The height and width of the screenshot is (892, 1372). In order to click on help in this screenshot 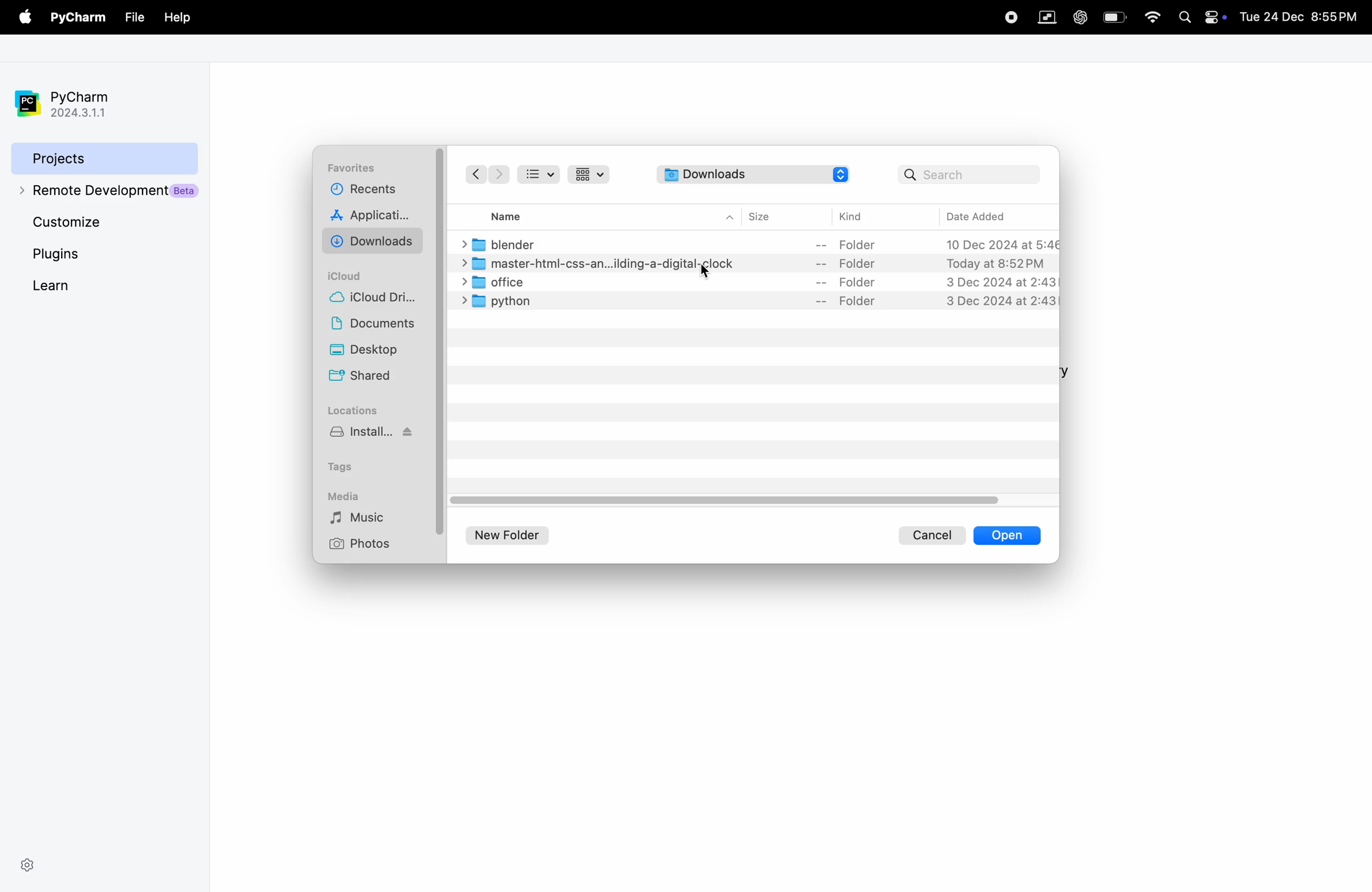, I will do `click(175, 16)`.